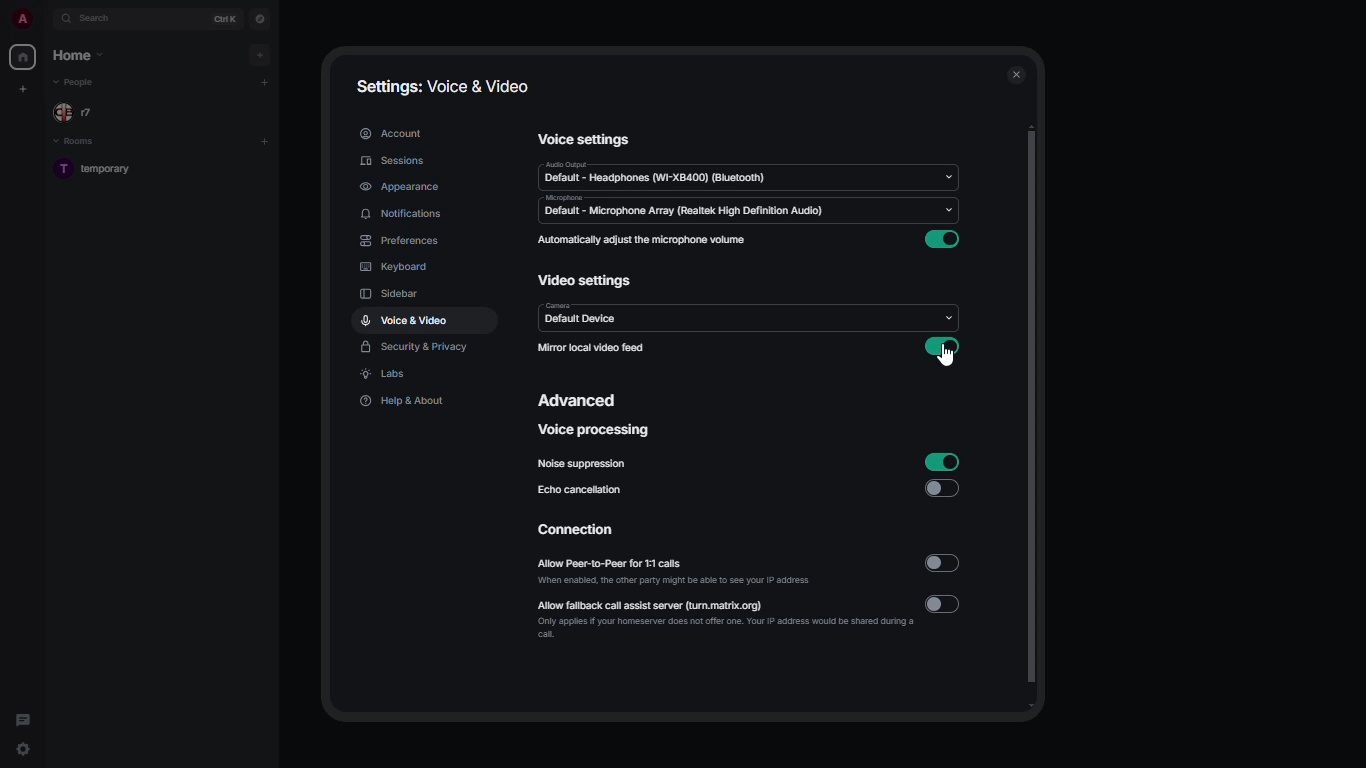 The height and width of the screenshot is (768, 1366). What do you see at coordinates (79, 142) in the screenshot?
I see `rooms` at bounding box center [79, 142].